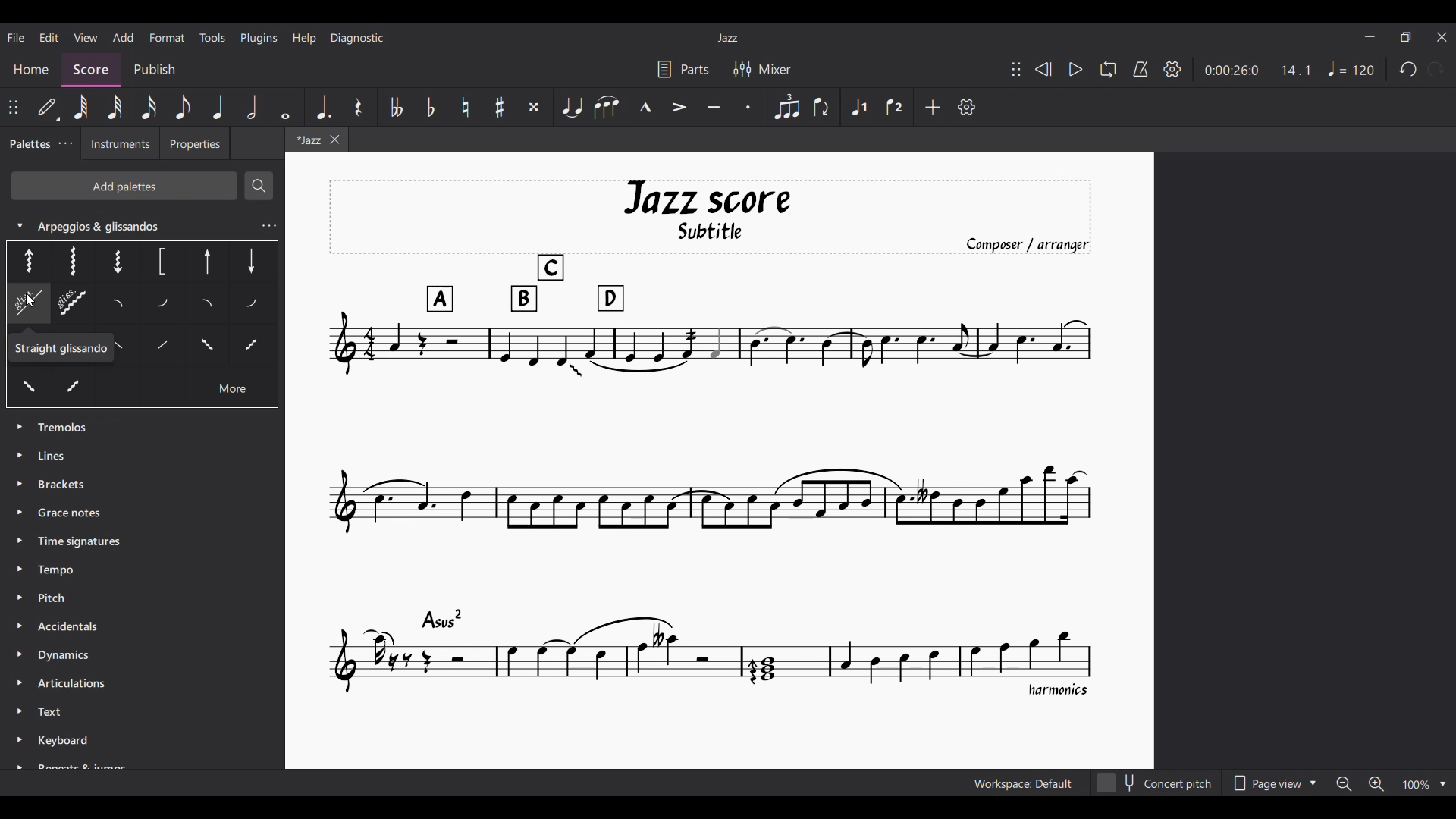 Image resolution: width=1456 pixels, height=819 pixels. What do you see at coordinates (726, 38) in the screenshot?
I see `Title of current score` at bounding box center [726, 38].